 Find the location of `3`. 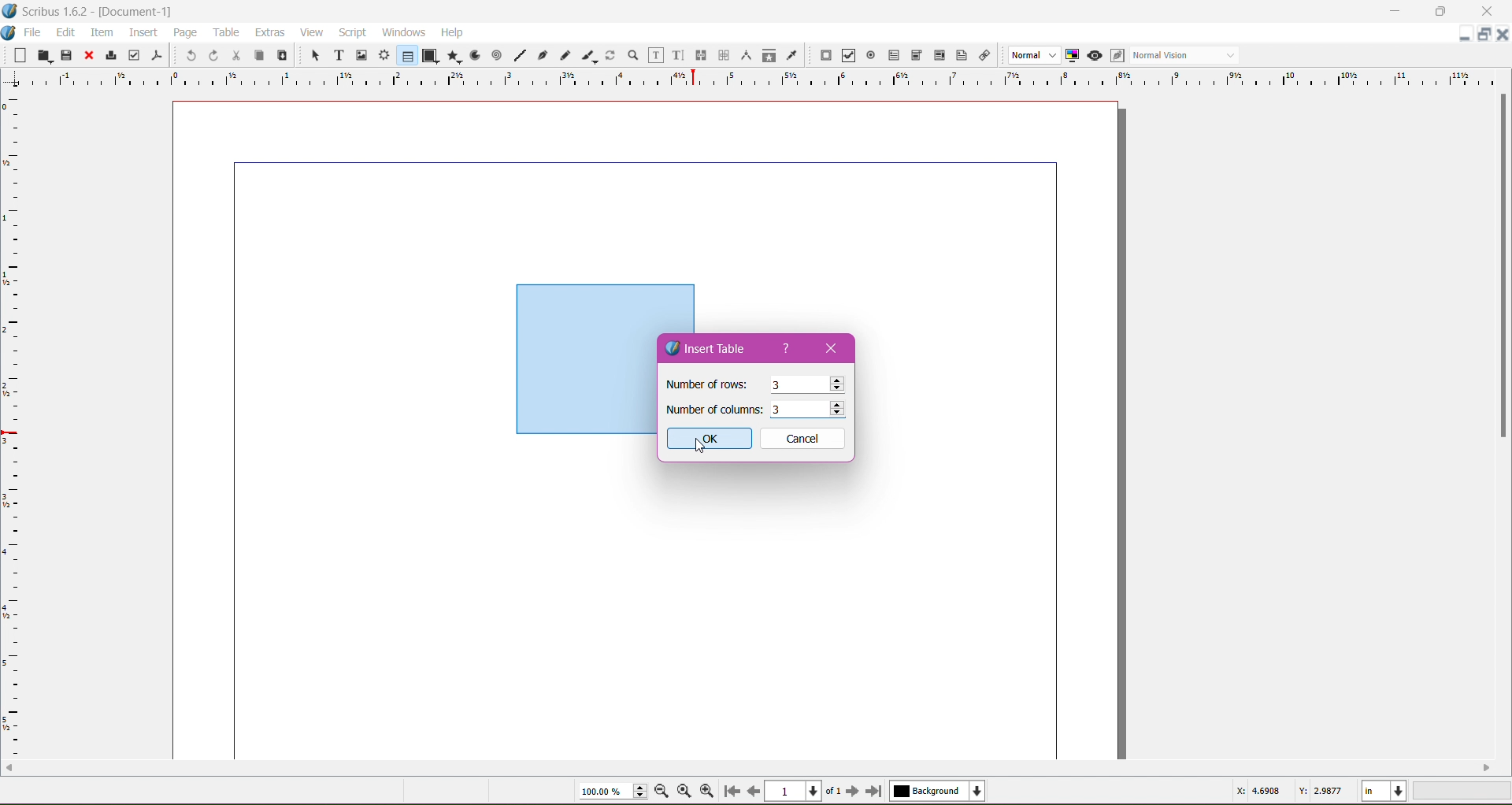

3 is located at coordinates (774, 386).